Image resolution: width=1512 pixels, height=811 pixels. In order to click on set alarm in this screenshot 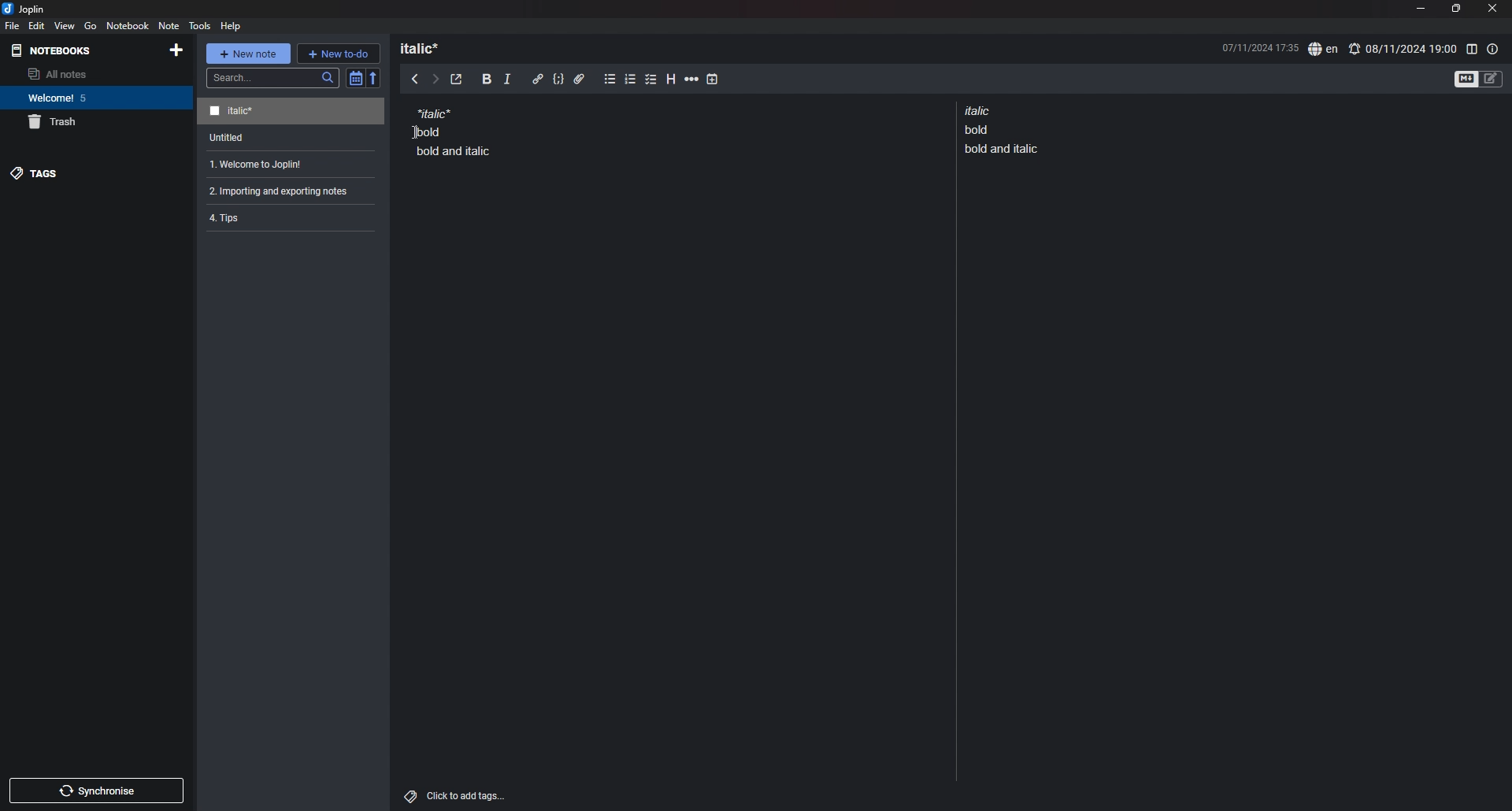, I will do `click(1403, 48)`.